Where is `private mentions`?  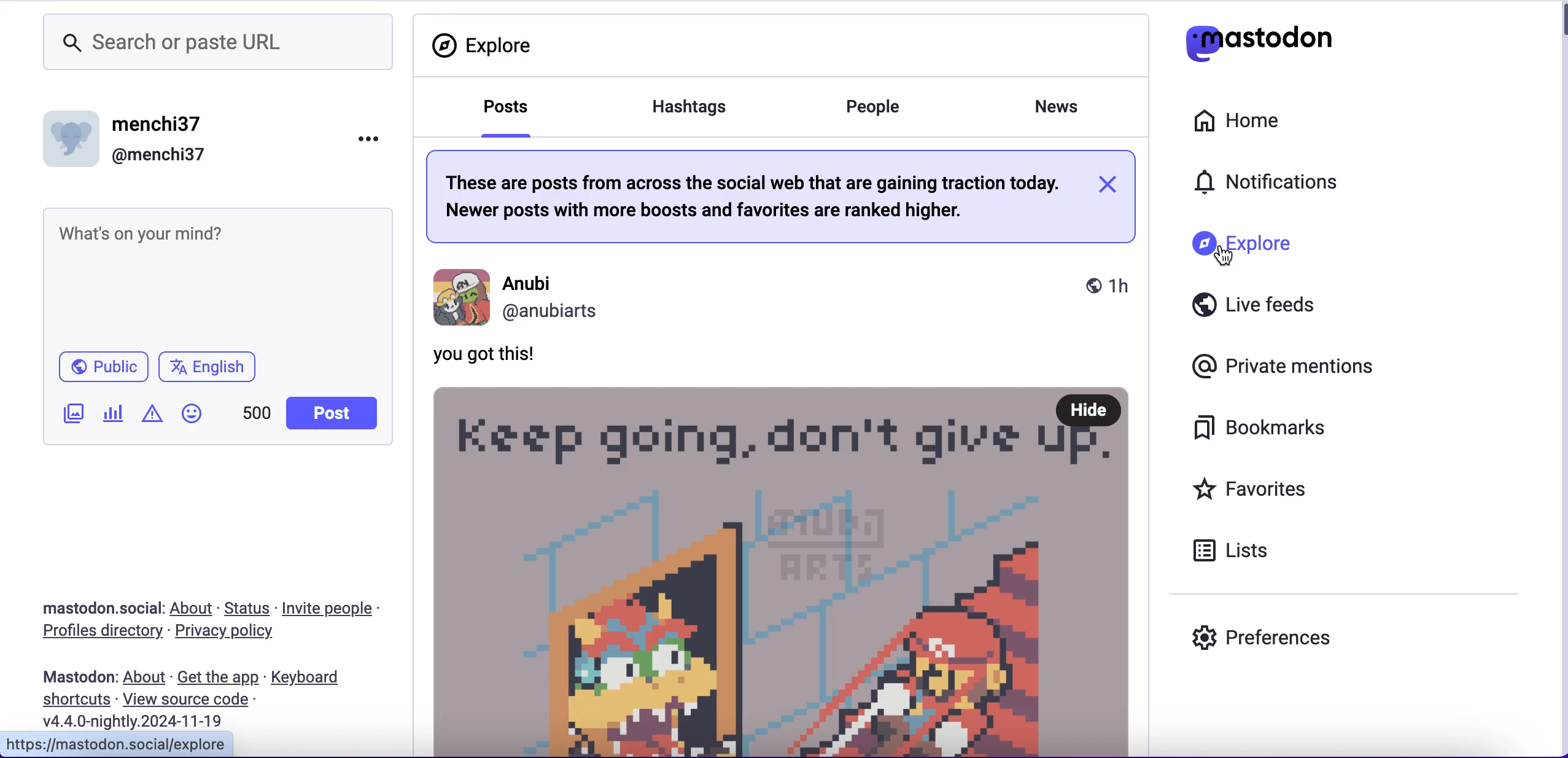
private mentions is located at coordinates (1279, 369).